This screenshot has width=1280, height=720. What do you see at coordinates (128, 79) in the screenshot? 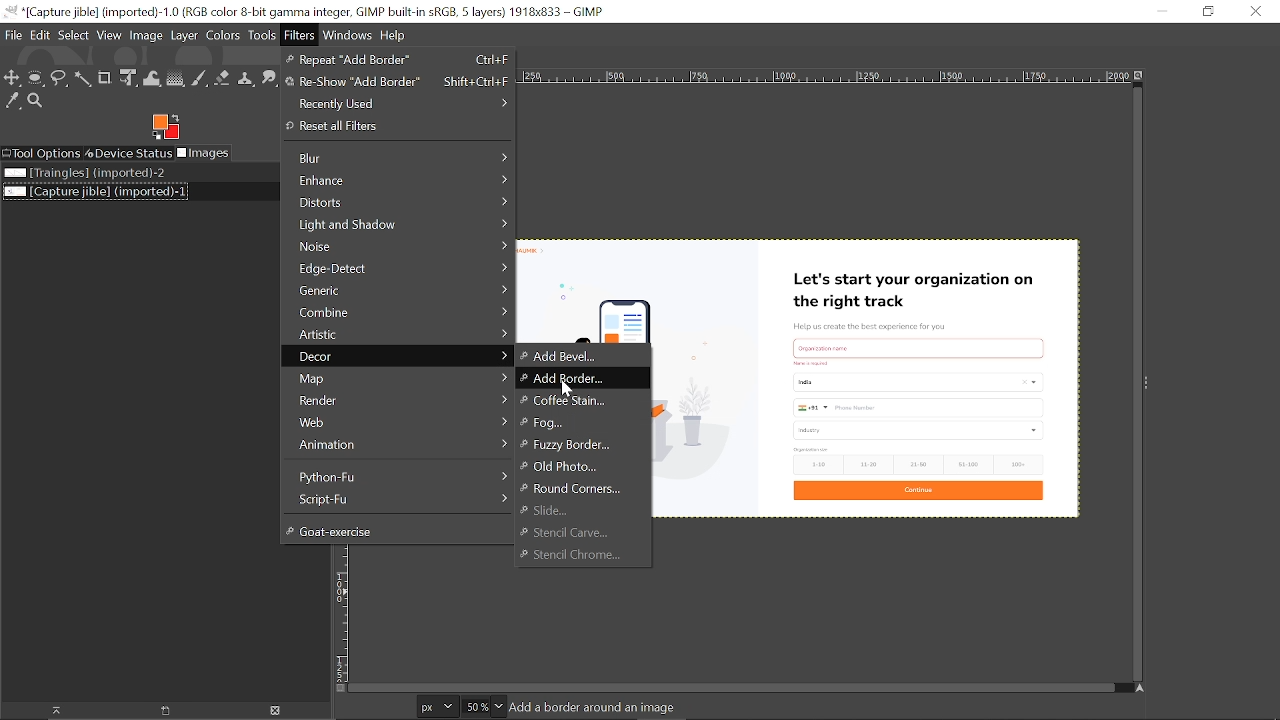
I see `Unified transform tool` at bounding box center [128, 79].